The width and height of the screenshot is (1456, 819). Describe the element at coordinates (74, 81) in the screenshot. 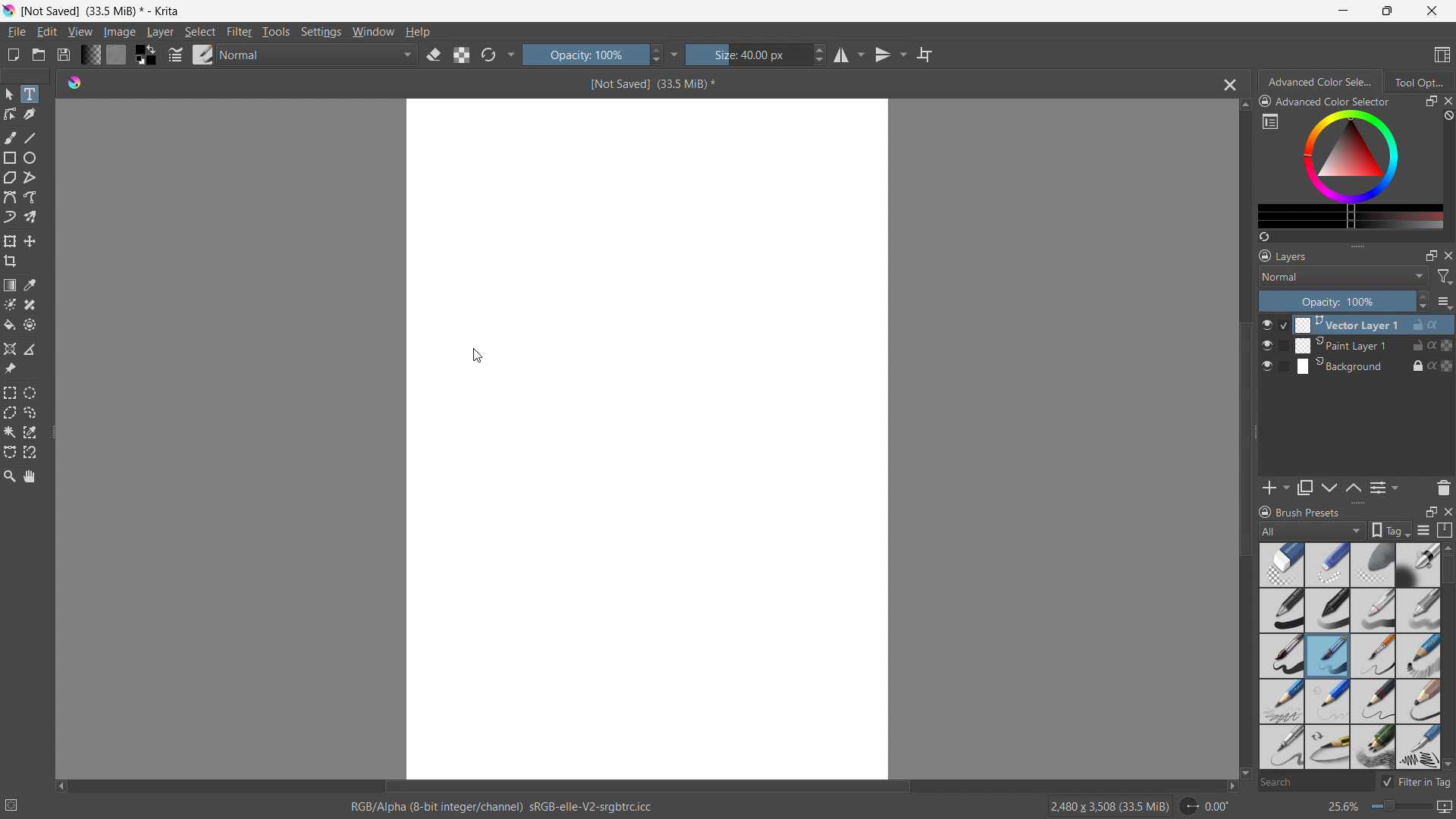

I see `logo` at that location.